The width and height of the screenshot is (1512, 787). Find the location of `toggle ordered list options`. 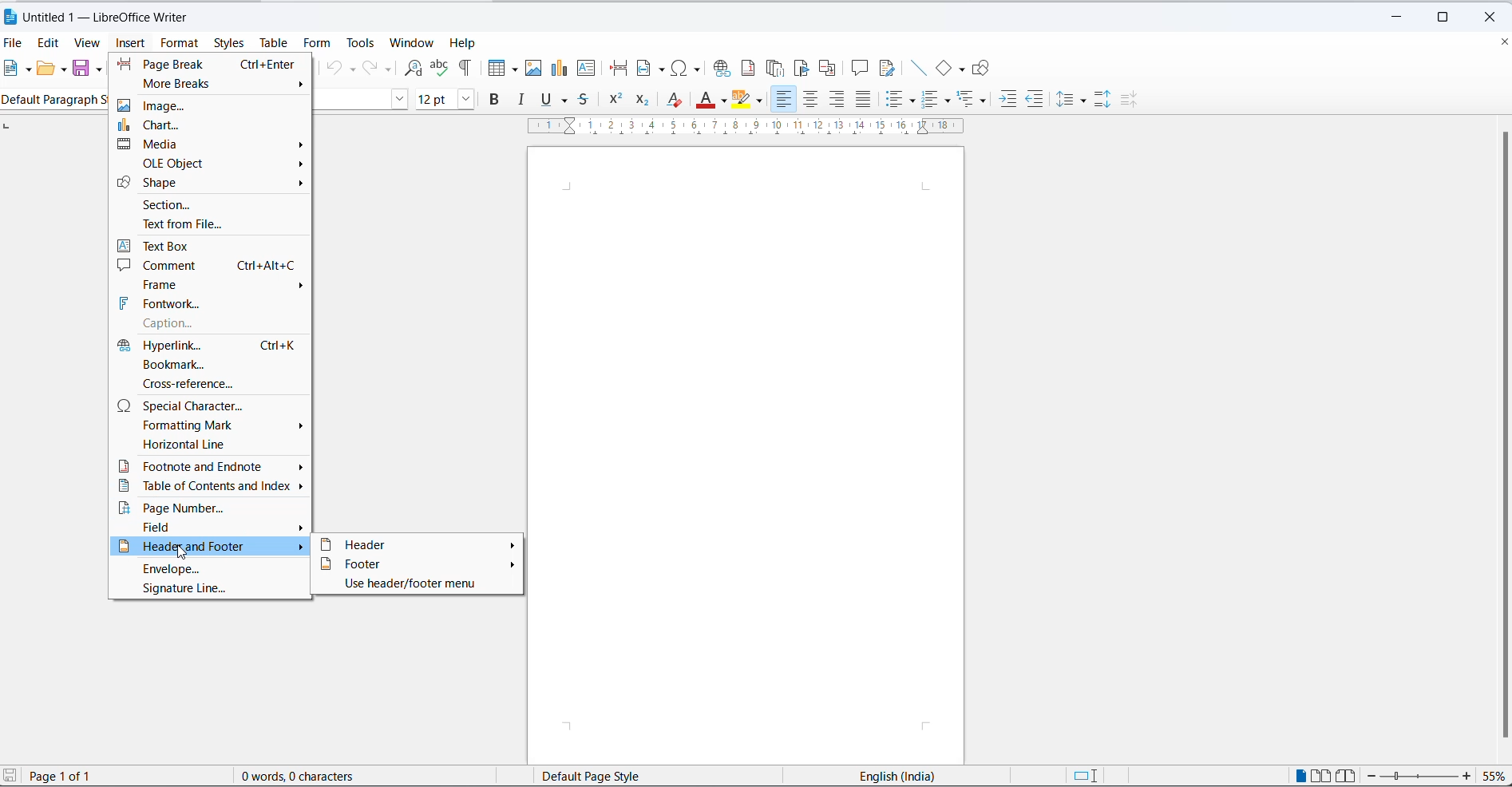

toggle ordered list options is located at coordinates (948, 100).